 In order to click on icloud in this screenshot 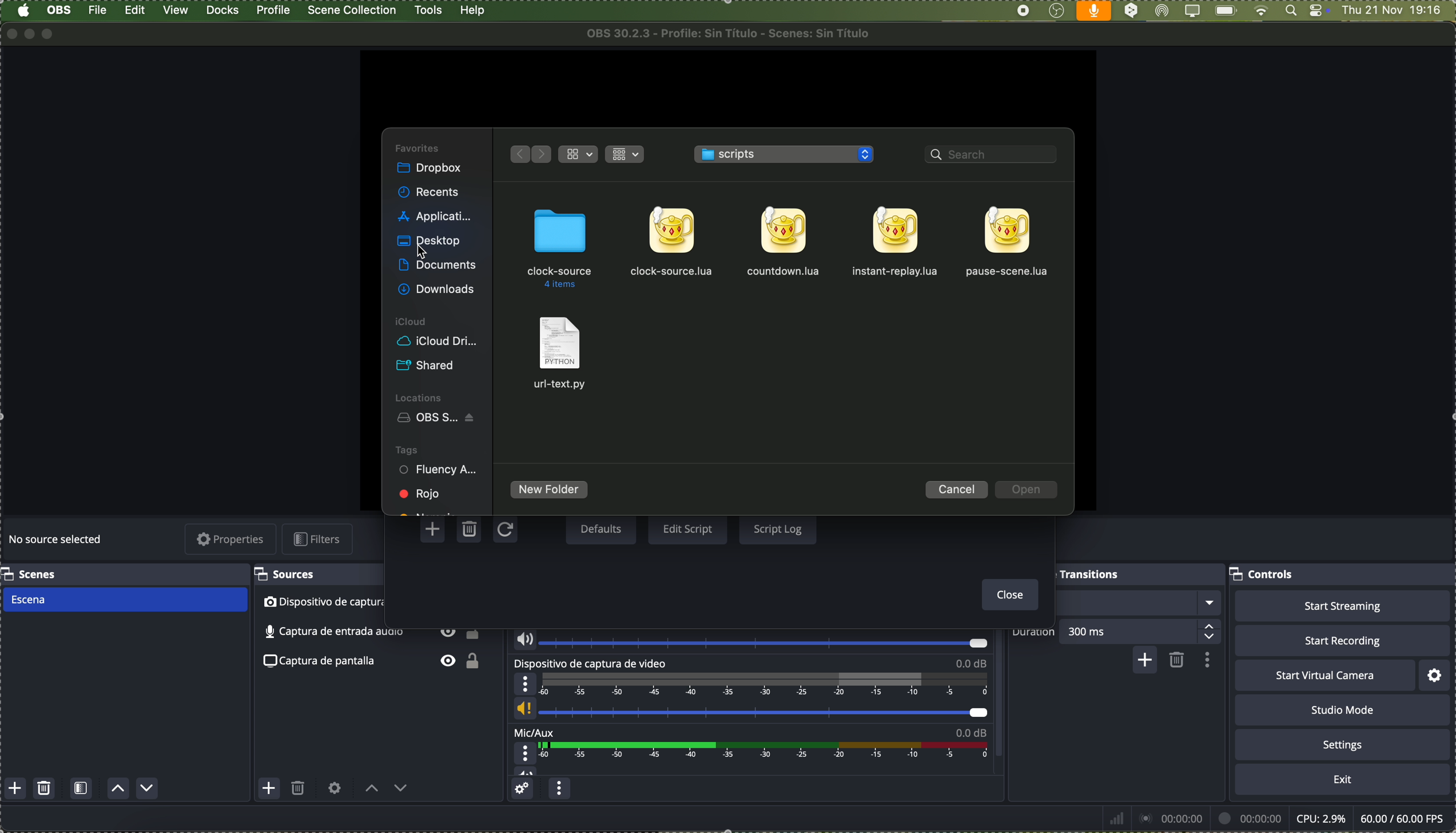, I will do `click(412, 322)`.